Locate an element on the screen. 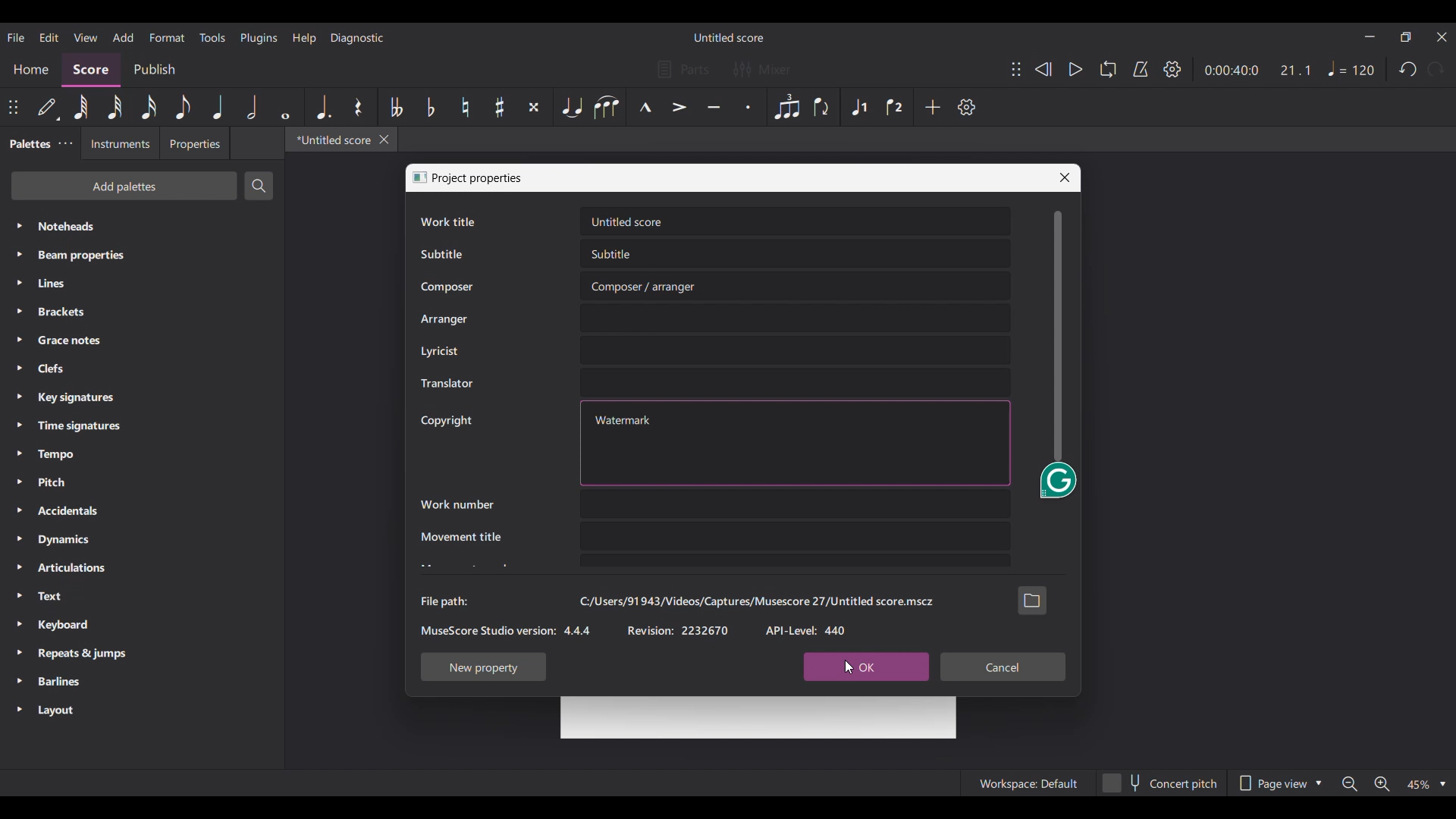  Current ratio is located at coordinates (1295, 70).